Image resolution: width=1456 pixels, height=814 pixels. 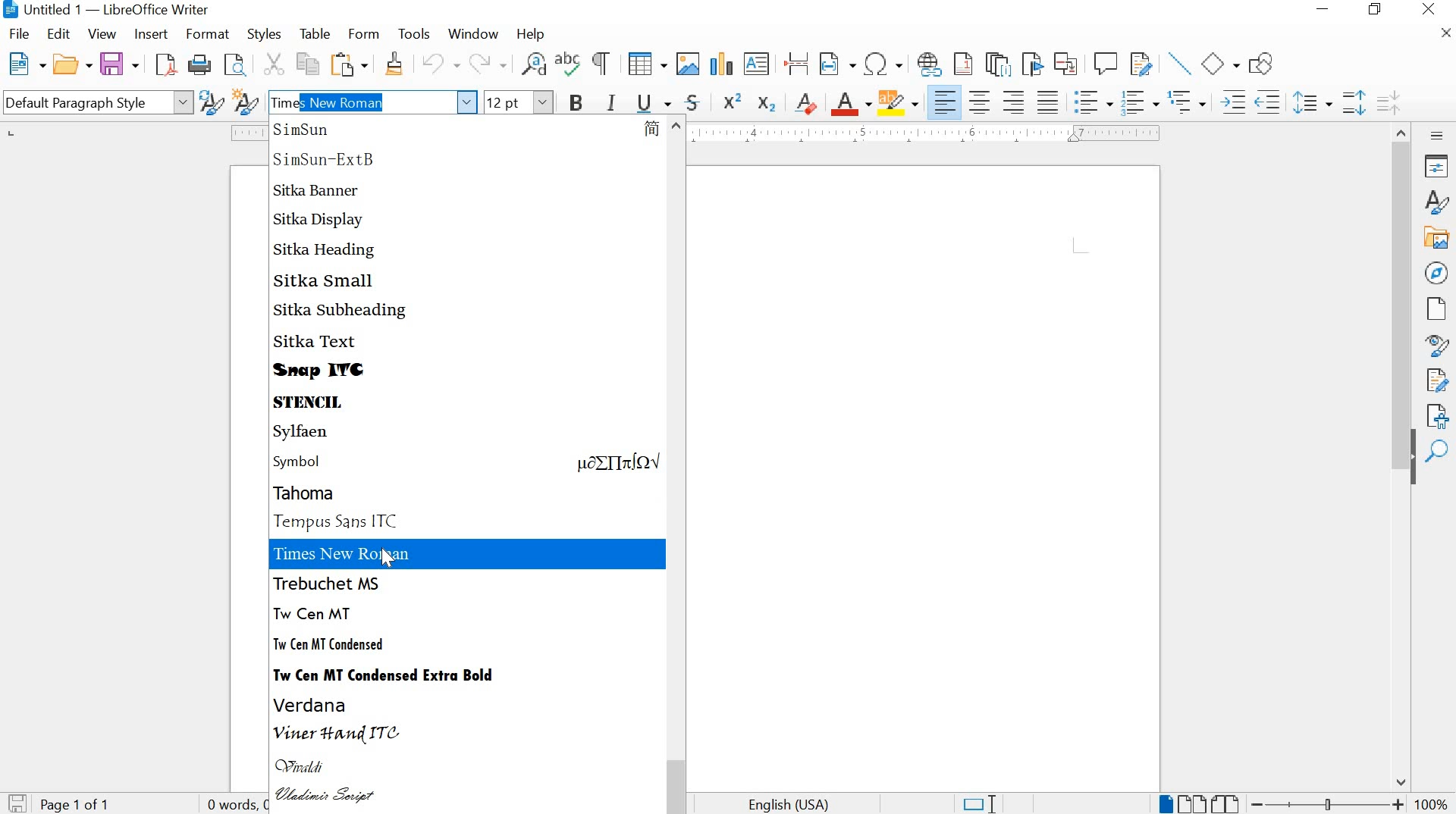 I want to click on INSERT COMMENT, so click(x=1106, y=64).